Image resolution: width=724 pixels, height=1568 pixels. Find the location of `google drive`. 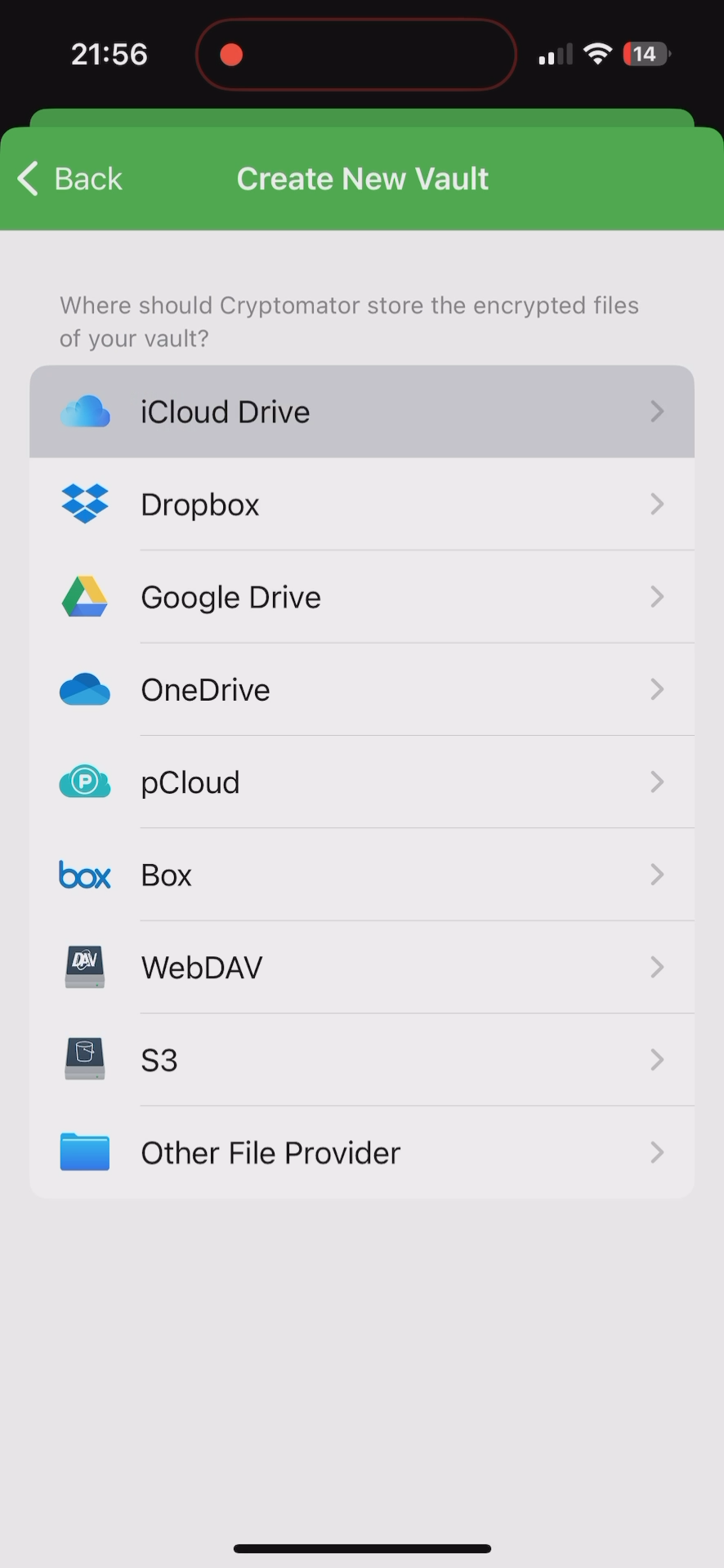

google drive is located at coordinates (364, 603).